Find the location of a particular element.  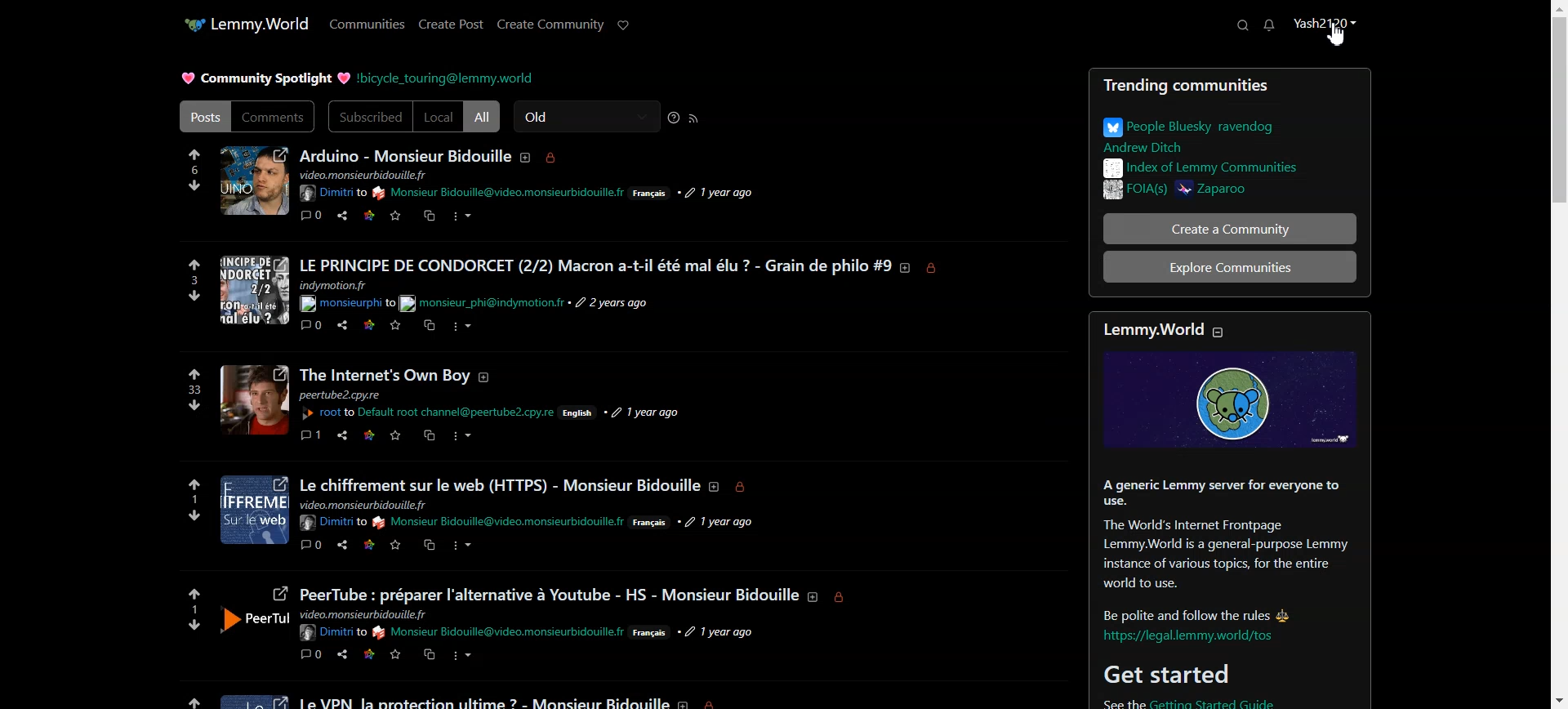

Local is located at coordinates (438, 117).